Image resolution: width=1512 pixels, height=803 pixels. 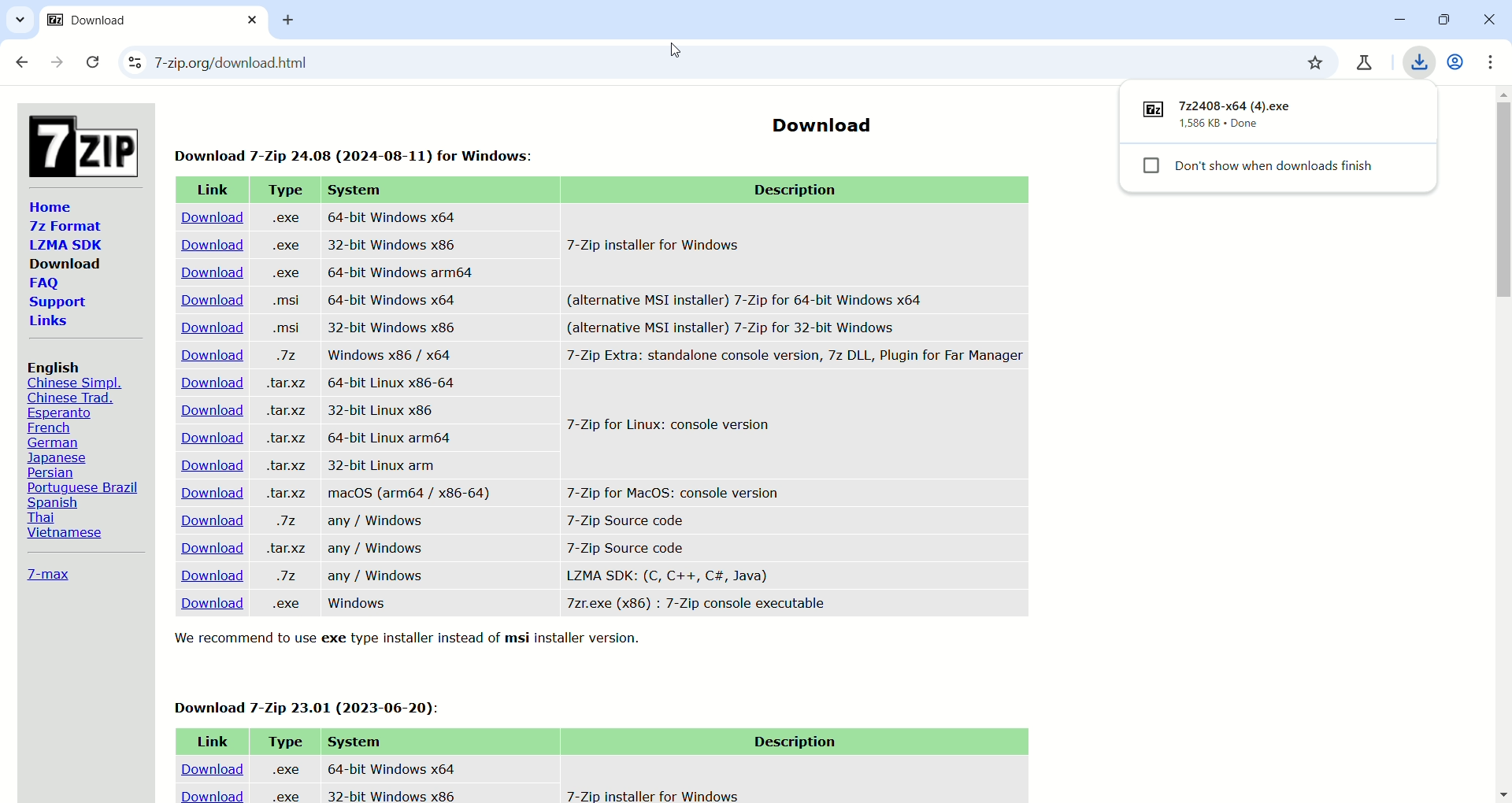 I want to click on Link, so click(x=211, y=191).